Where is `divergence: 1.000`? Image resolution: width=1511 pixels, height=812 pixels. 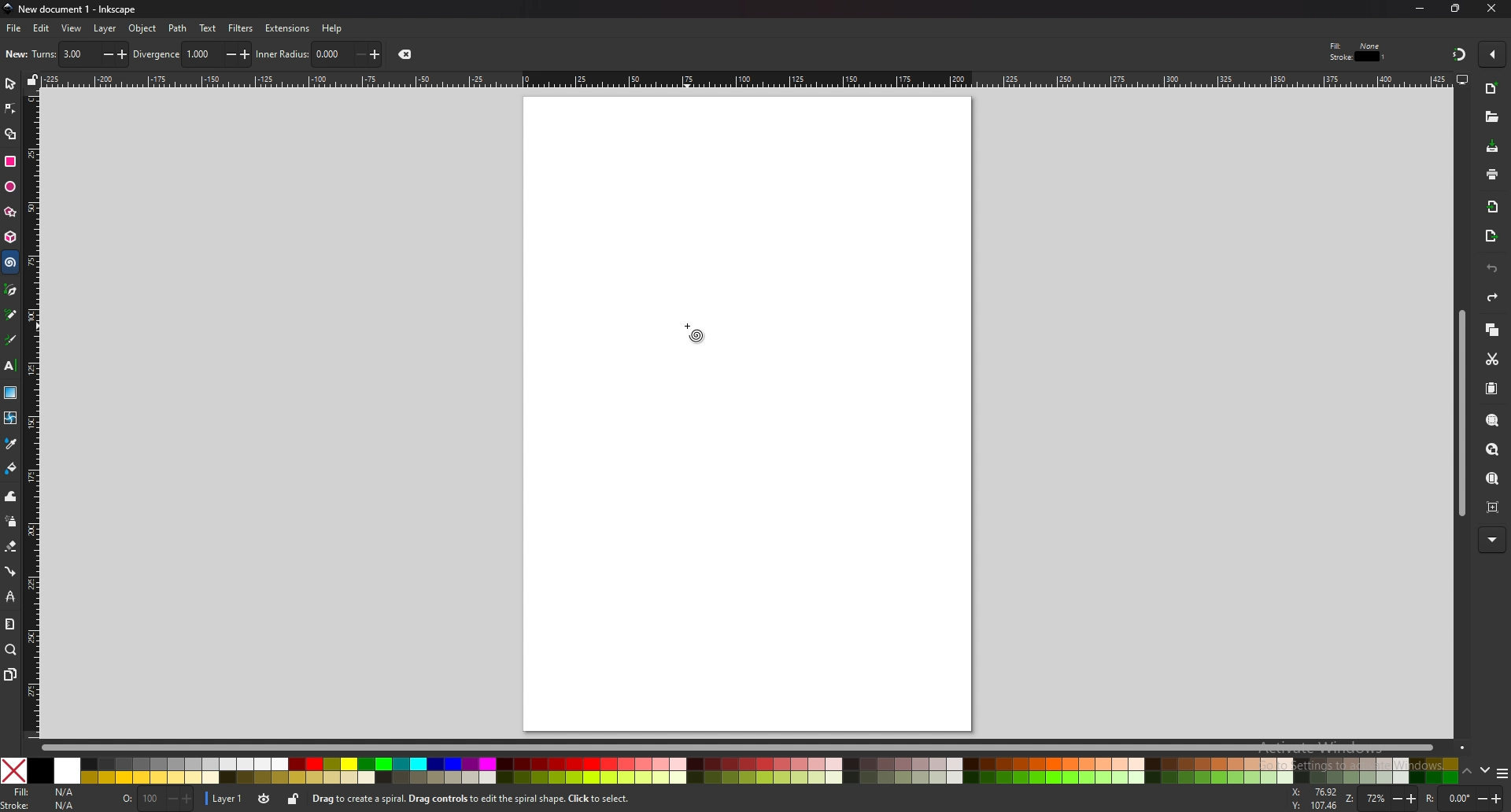 divergence: 1.000 is located at coordinates (192, 54).